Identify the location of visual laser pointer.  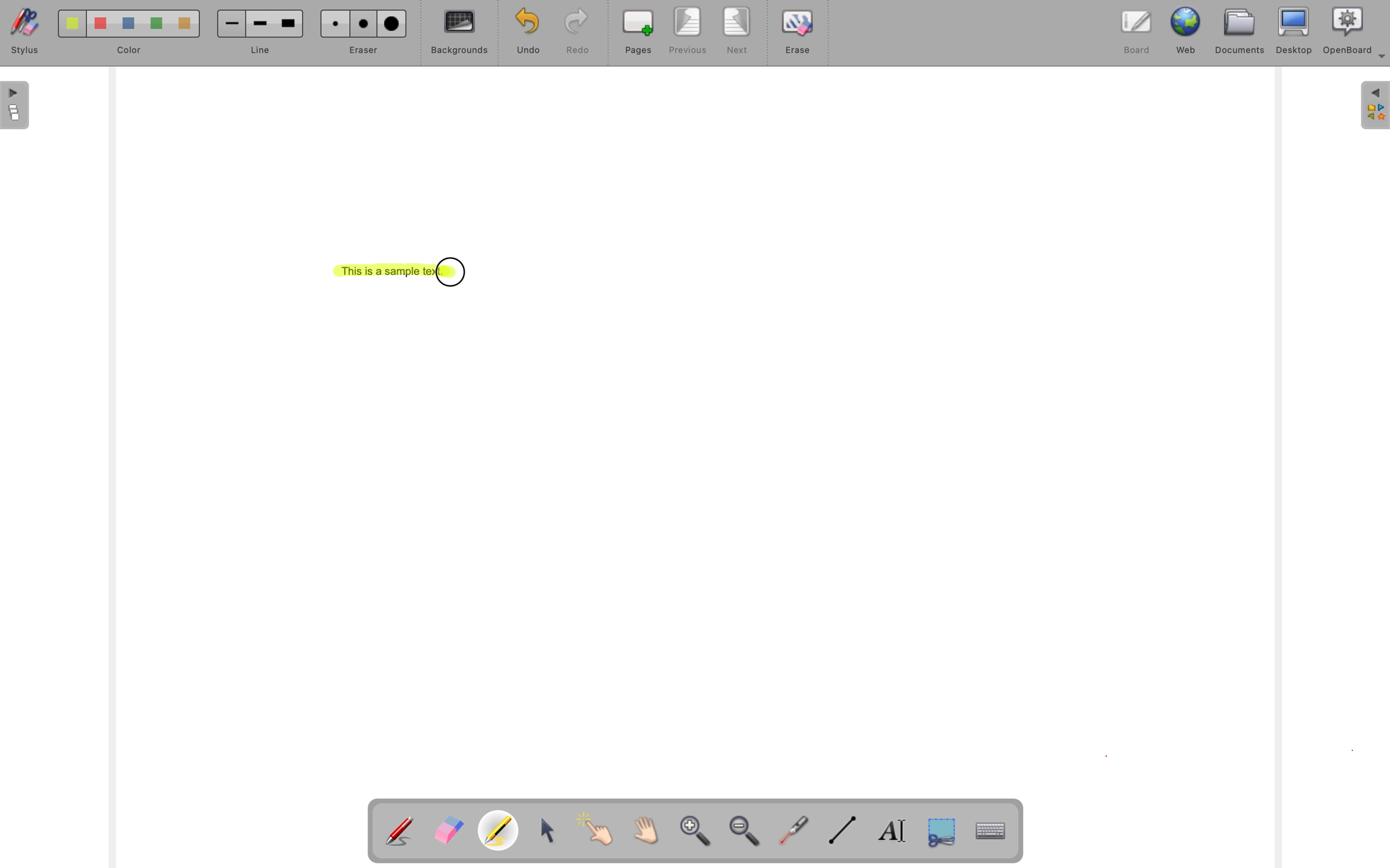
(796, 832).